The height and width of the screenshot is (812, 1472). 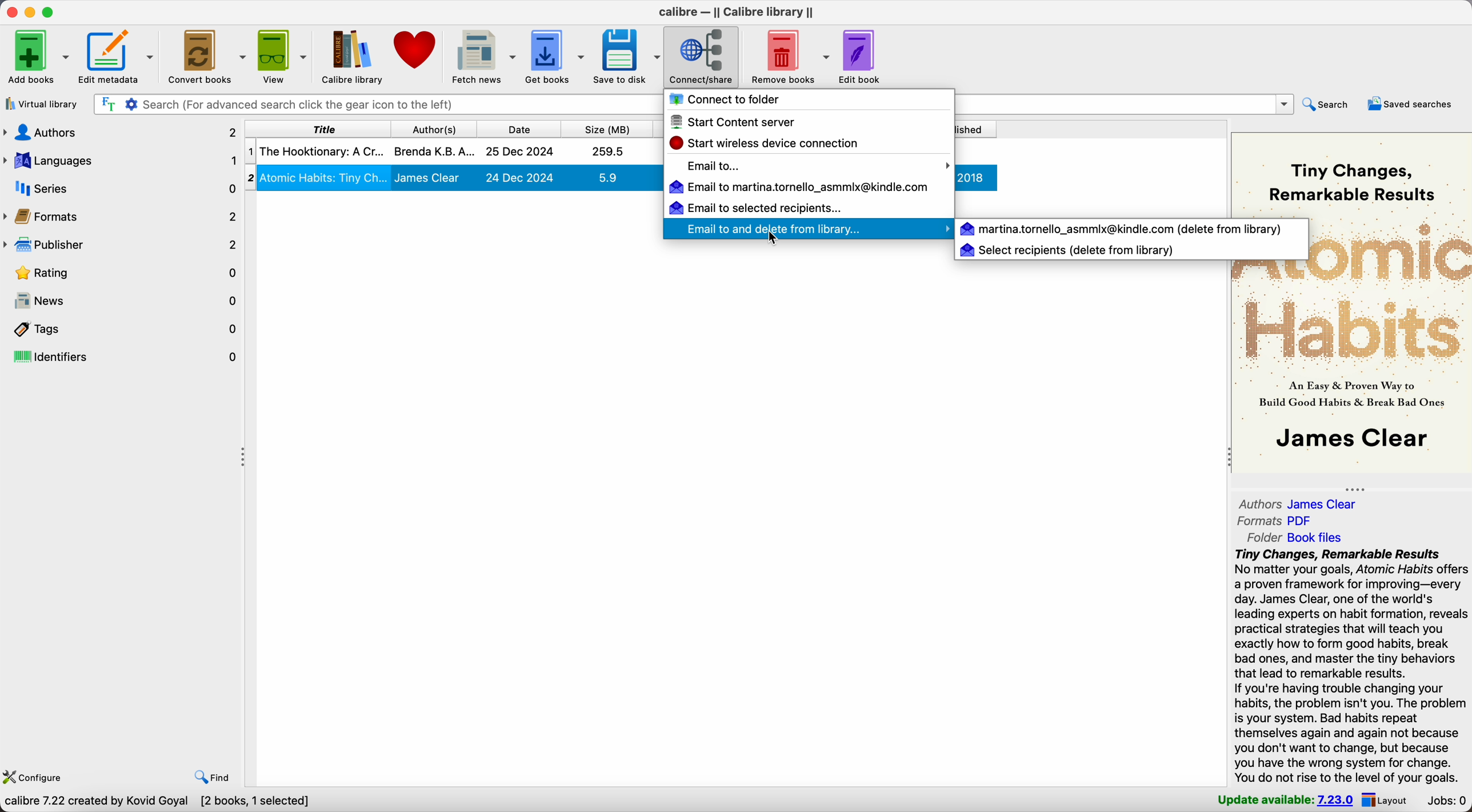 I want to click on click on email to and delete from library, so click(x=801, y=229).